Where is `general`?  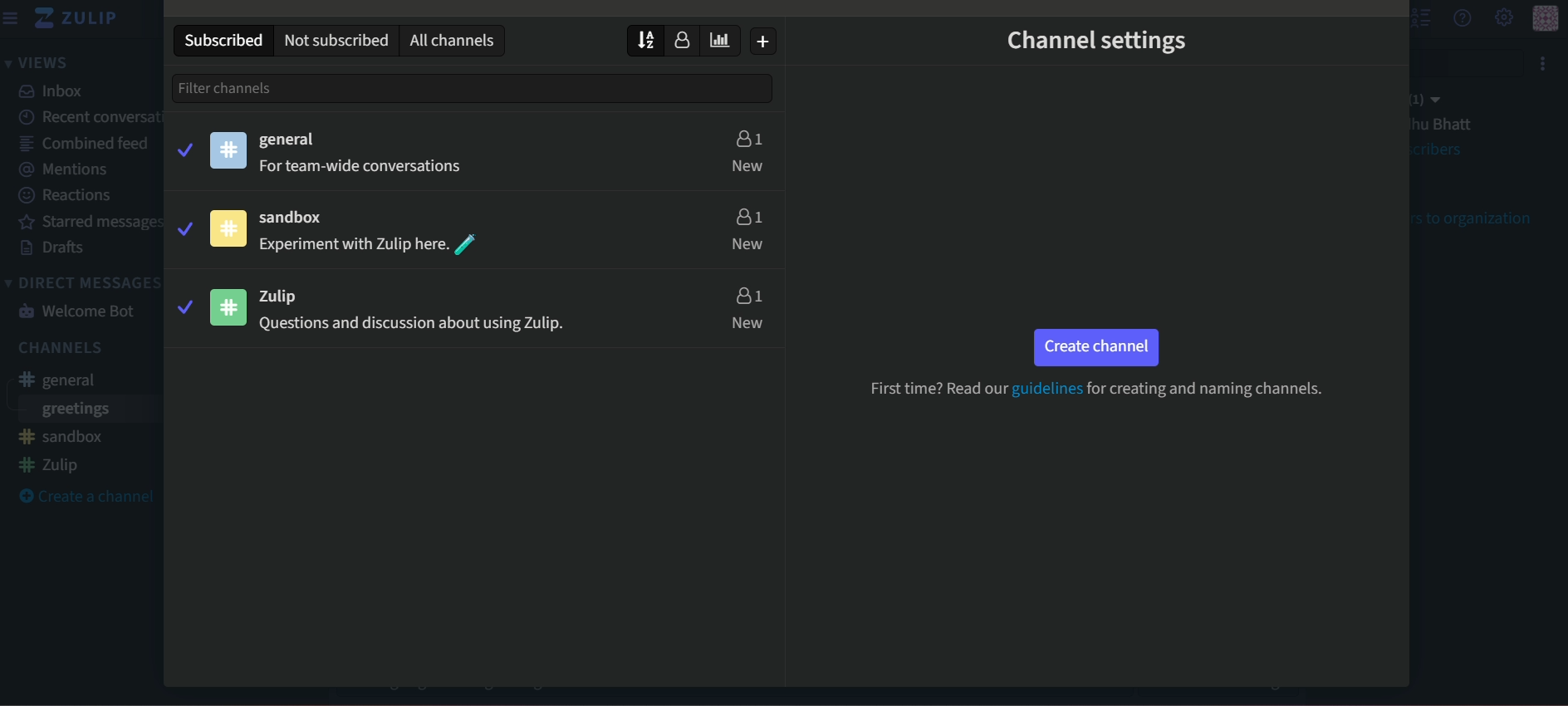
general is located at coordinates (61, 382).